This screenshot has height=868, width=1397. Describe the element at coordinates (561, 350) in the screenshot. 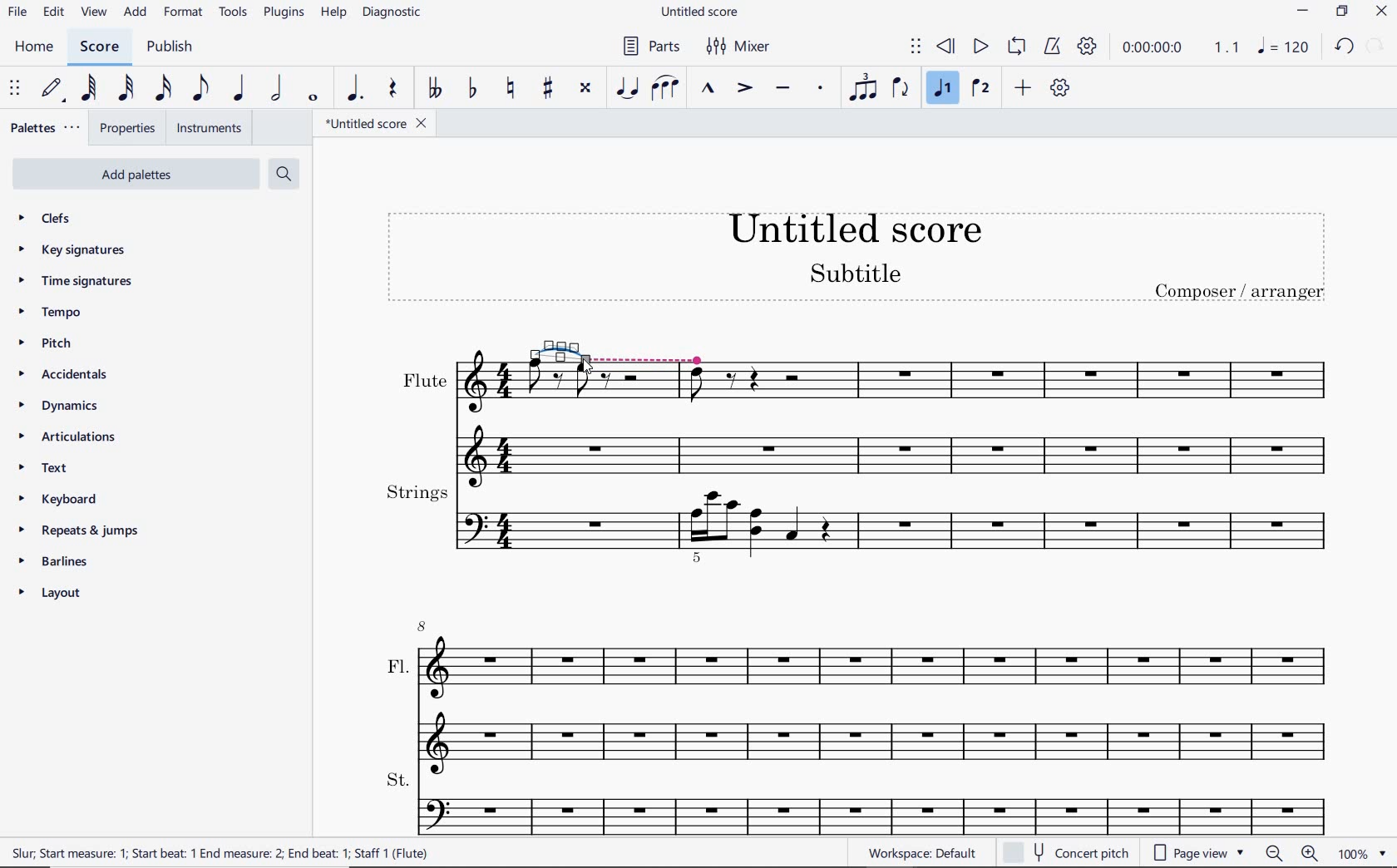

I see `TIE` at that location.